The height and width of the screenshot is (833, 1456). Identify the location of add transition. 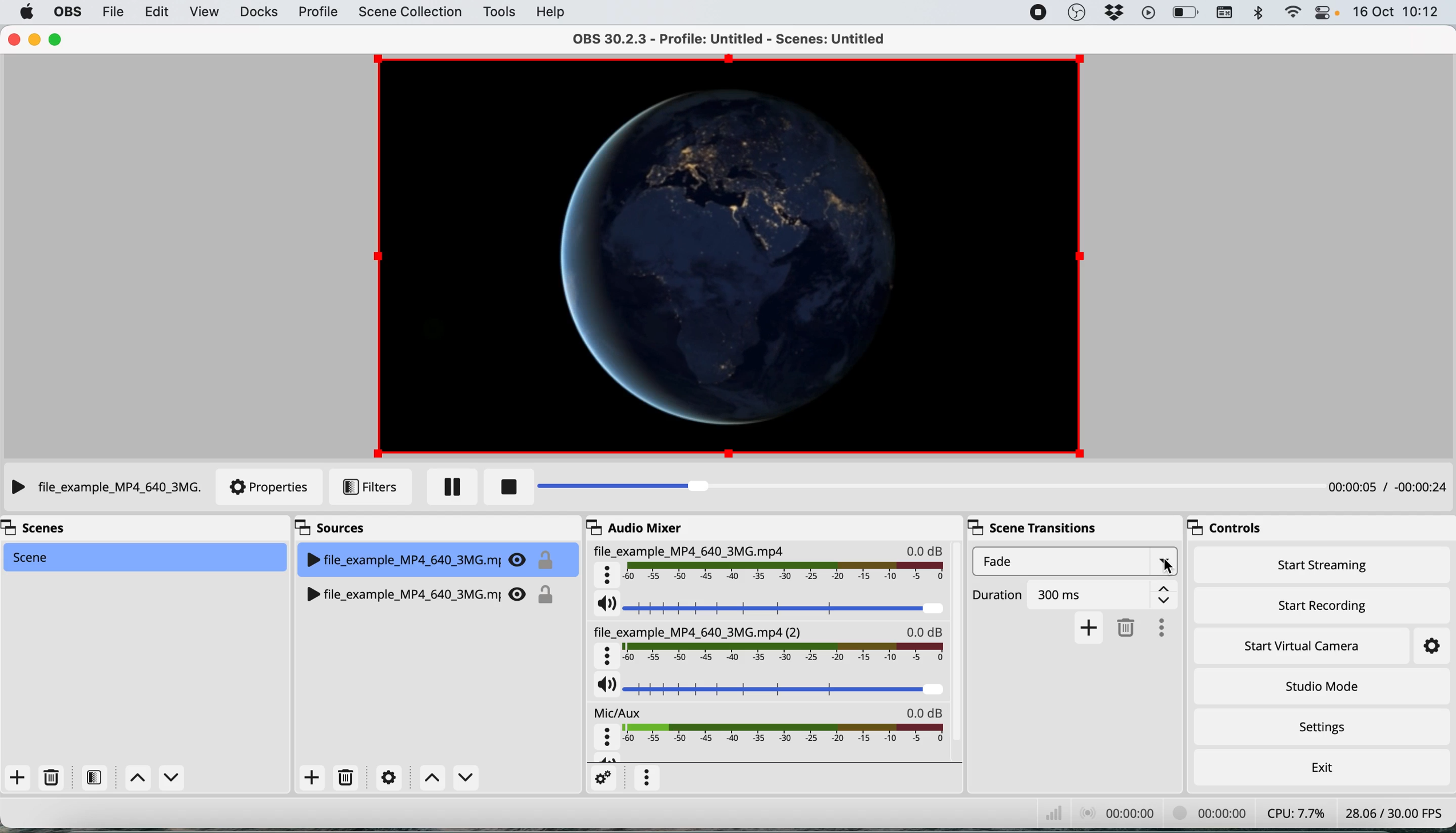
(1088, 630).